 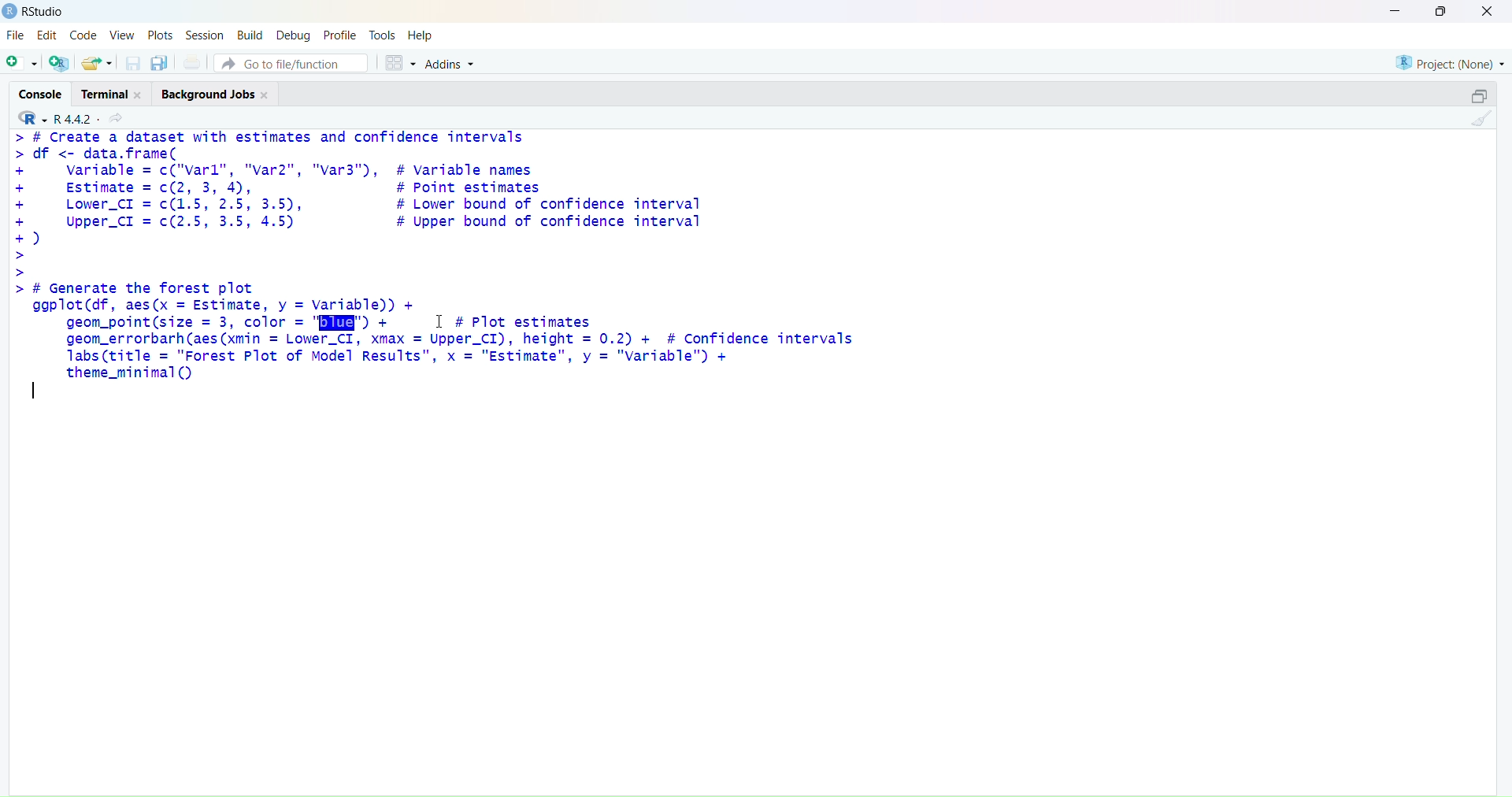 I want to click on Session, so click(x=203, y=35).